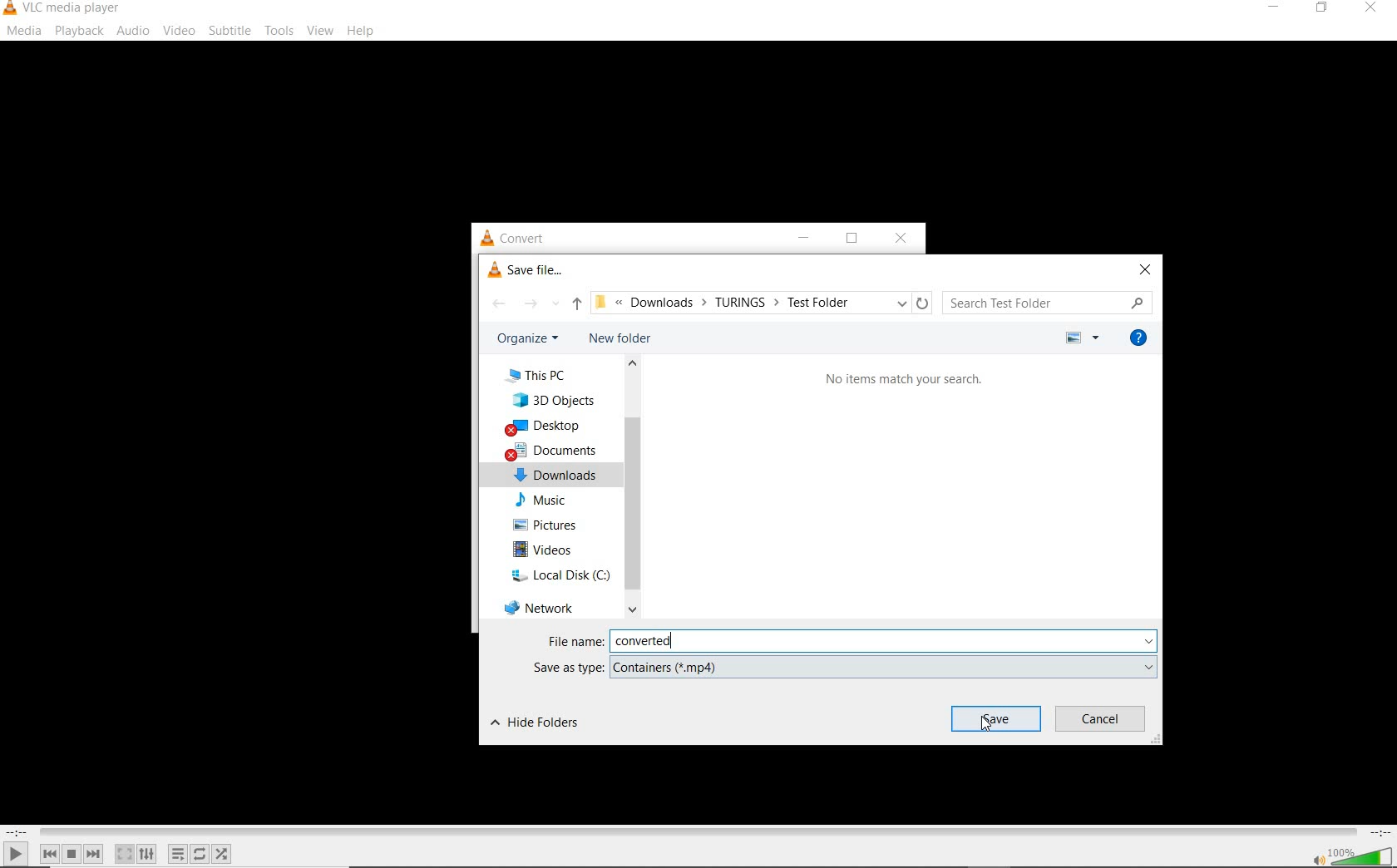 This screenshot has width=1397, height=868. I want to click on audio, so click(135, 31).